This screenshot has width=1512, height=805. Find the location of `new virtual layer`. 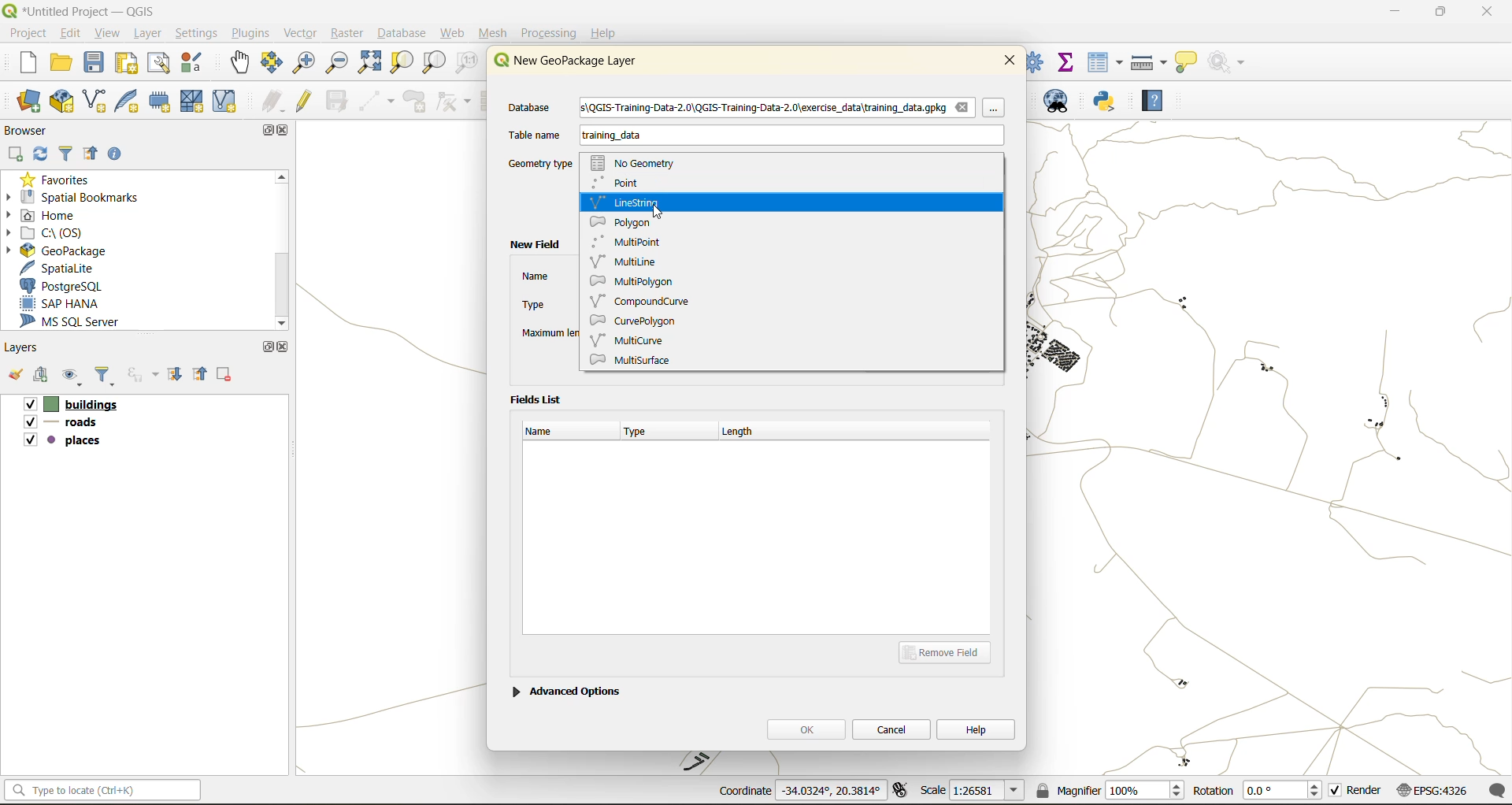

new virtual layer is located at coordinates (224, 102).